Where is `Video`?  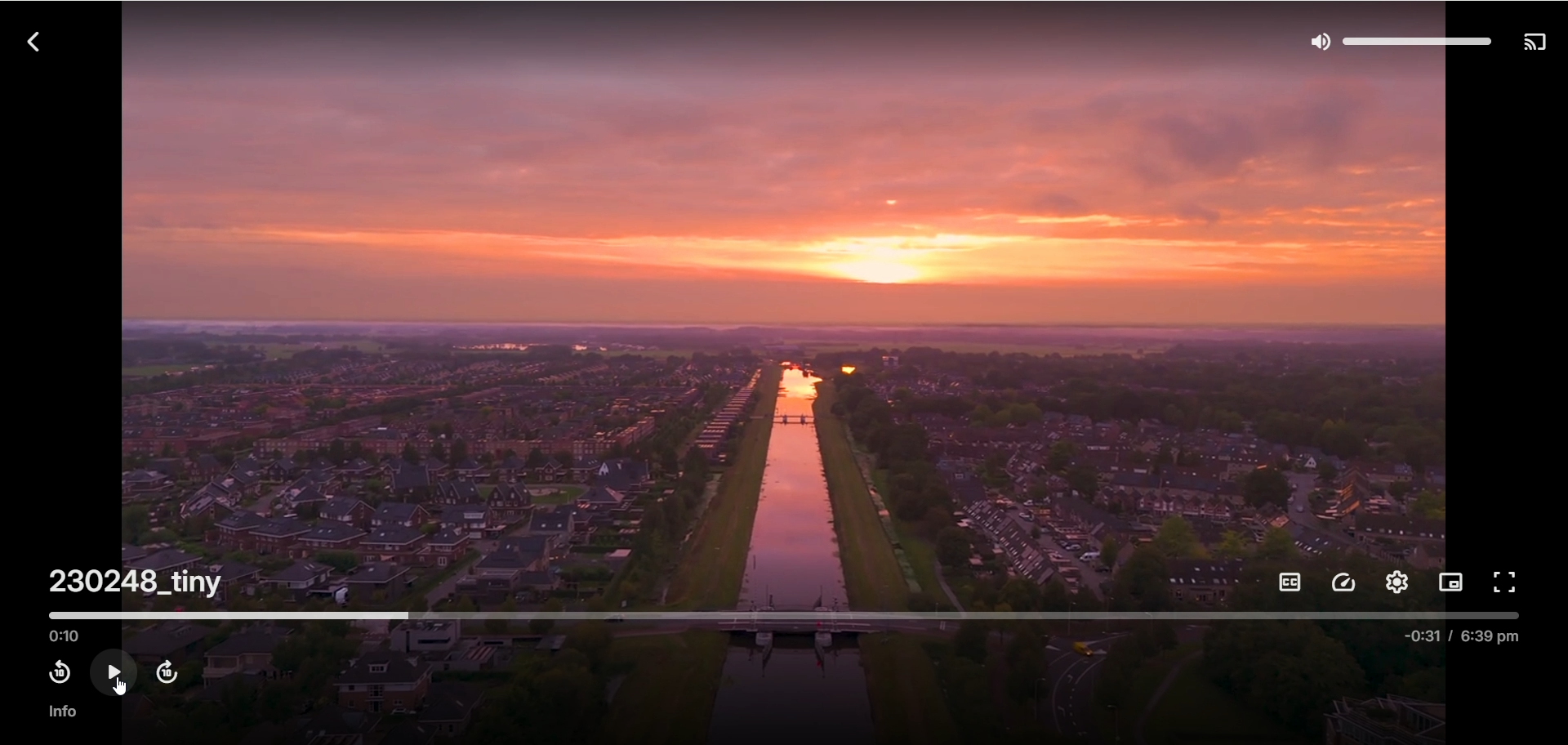
Video is located at coordinates (788, 306).